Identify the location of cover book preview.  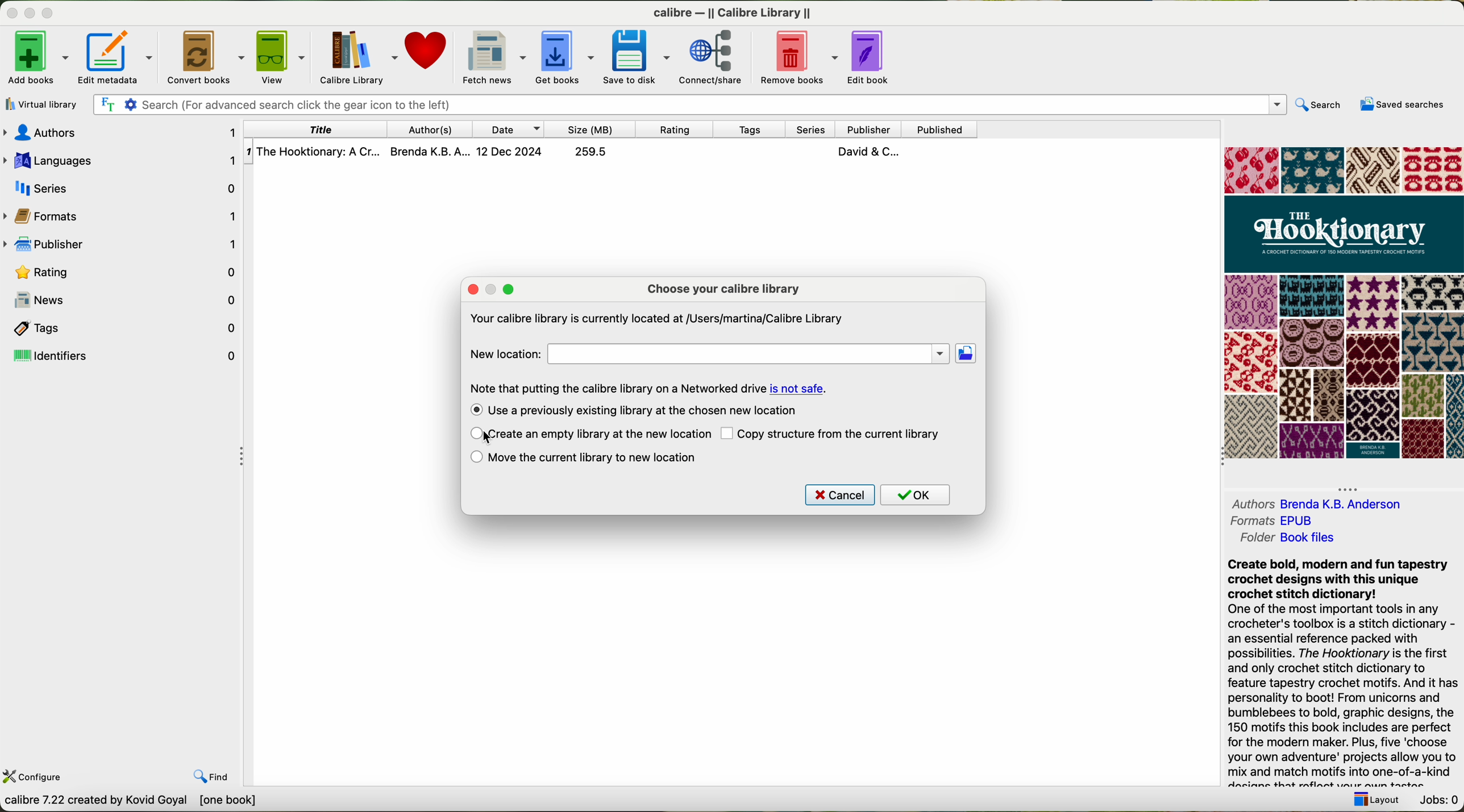
(1341, 302).